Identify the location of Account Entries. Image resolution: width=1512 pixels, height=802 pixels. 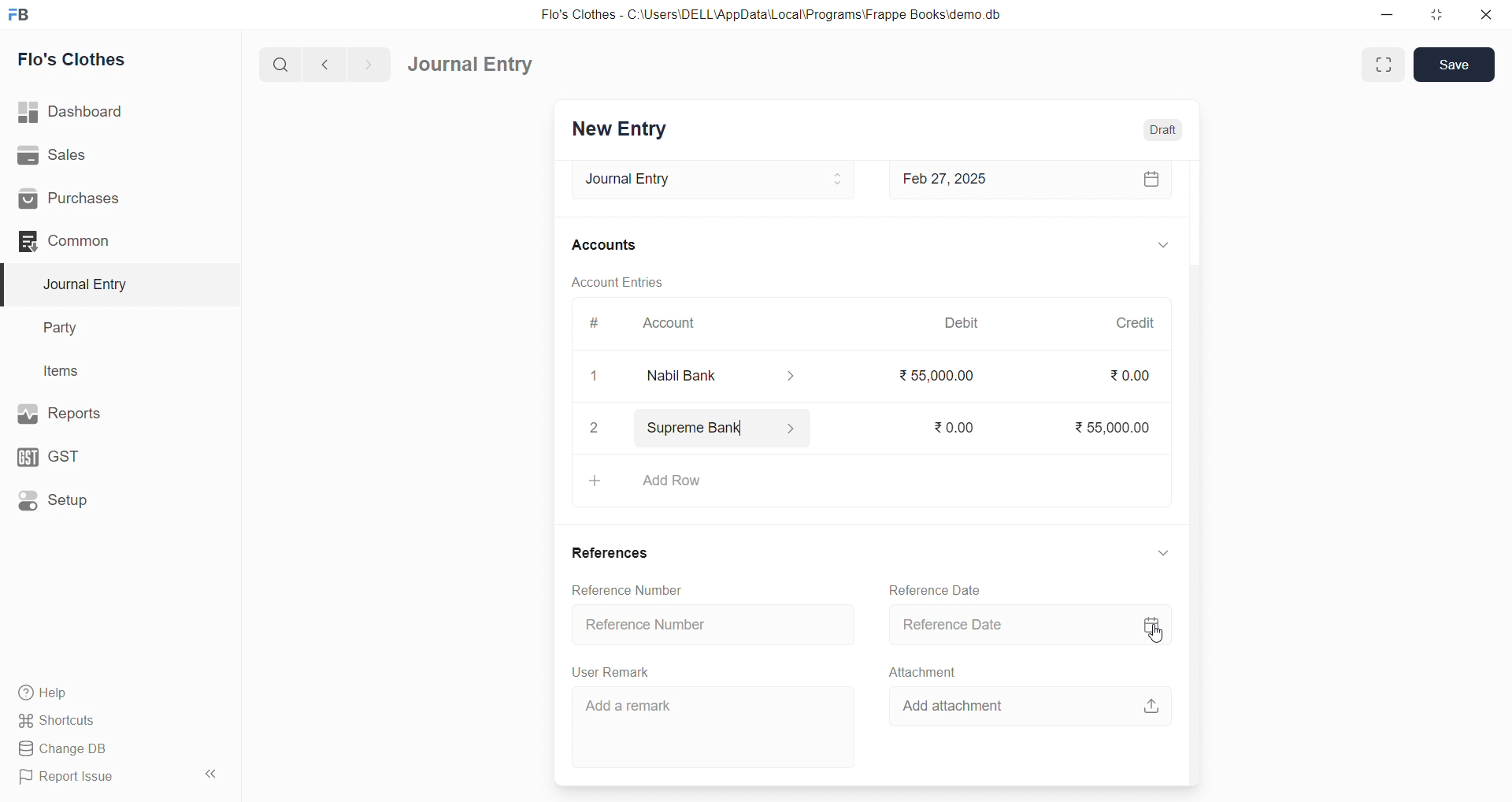
(619, 284).